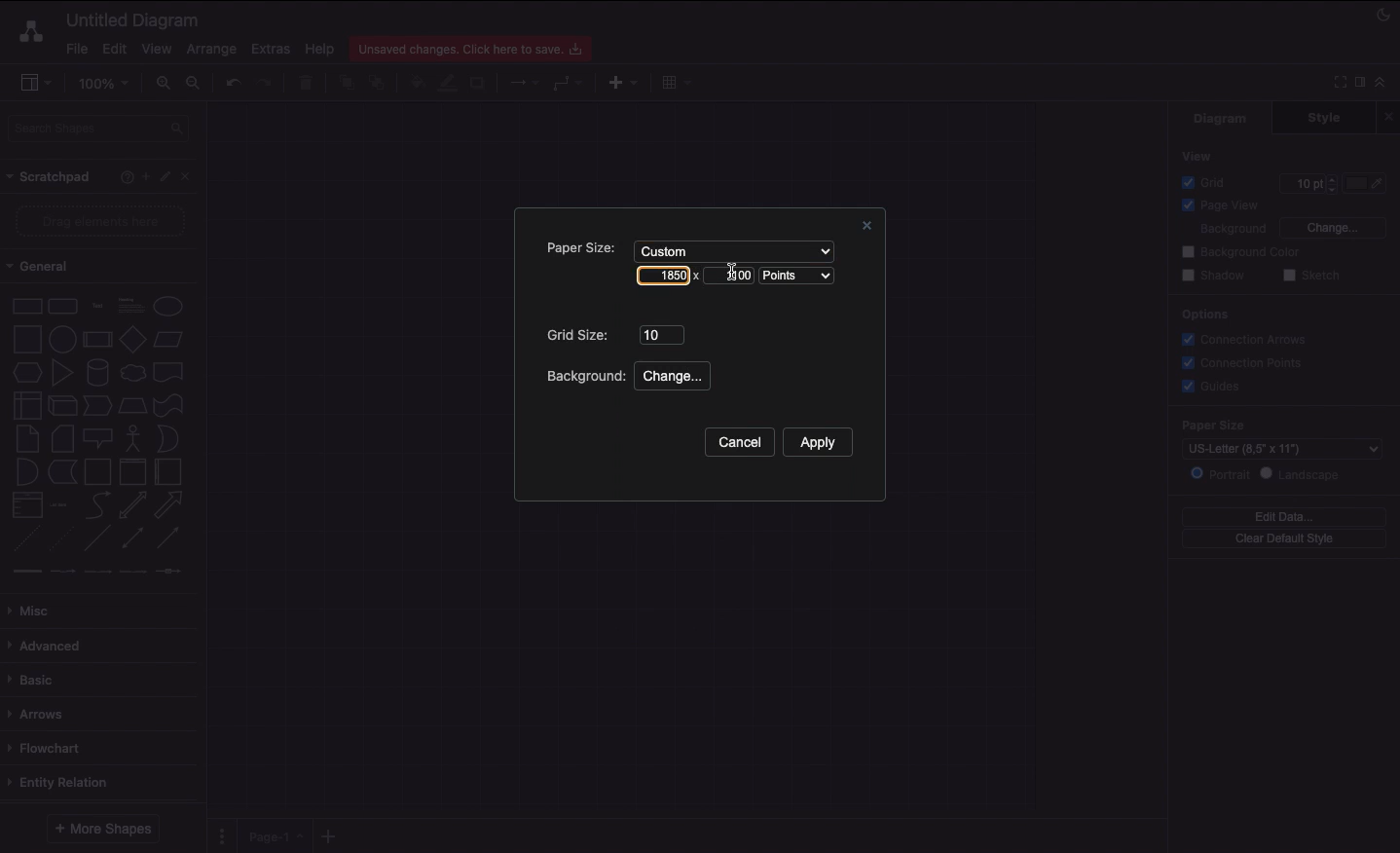 The width and height of the screenshot is (1400, 853). What do you see at coordinates (1241, 338) in the screenshot?
I see `Correction arrows` at bounding box center [1241, 338].